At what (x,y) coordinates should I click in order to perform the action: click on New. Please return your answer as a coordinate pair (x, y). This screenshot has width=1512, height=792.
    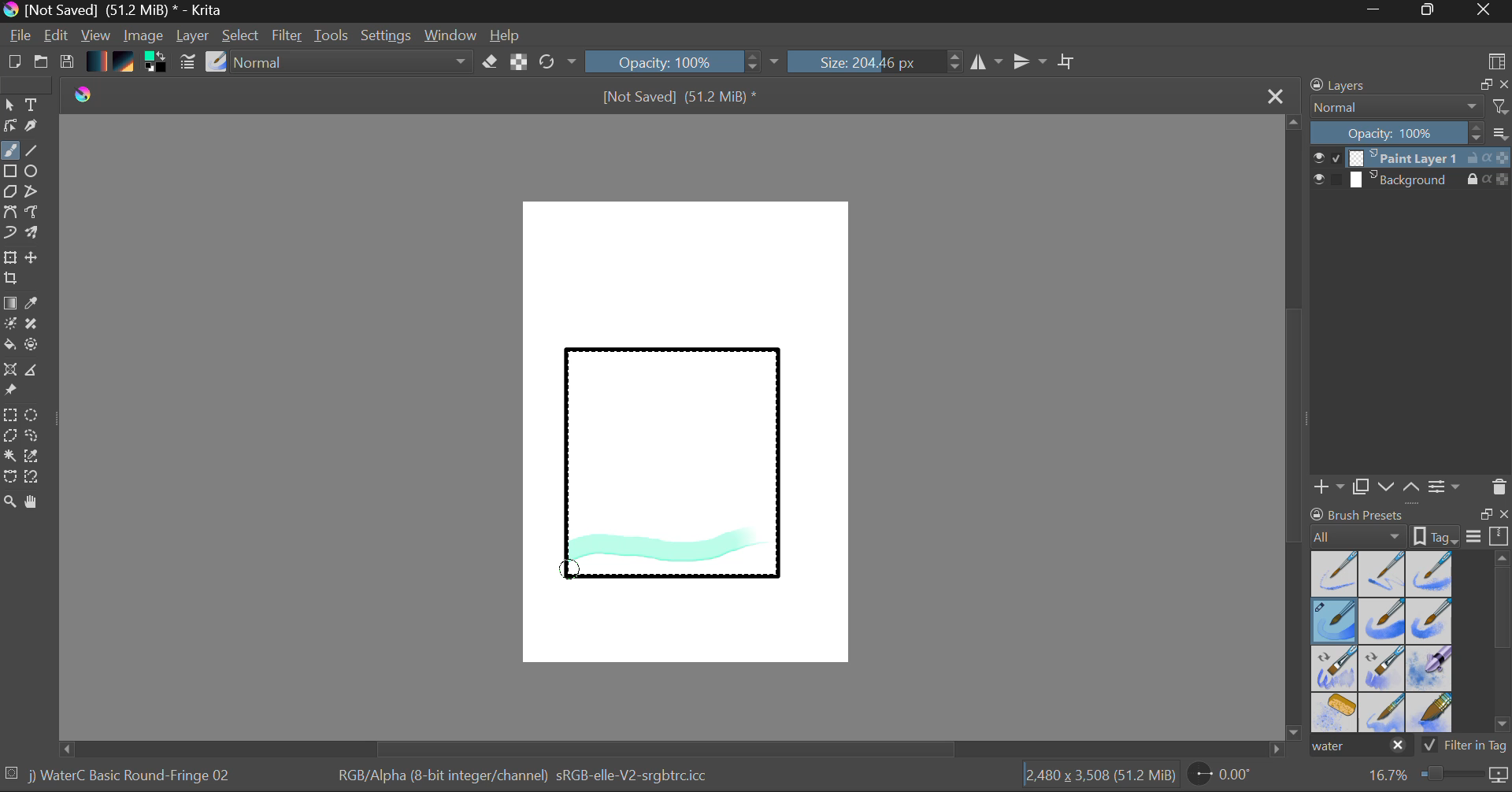
    Looking at the image, I should click on (13, 64).